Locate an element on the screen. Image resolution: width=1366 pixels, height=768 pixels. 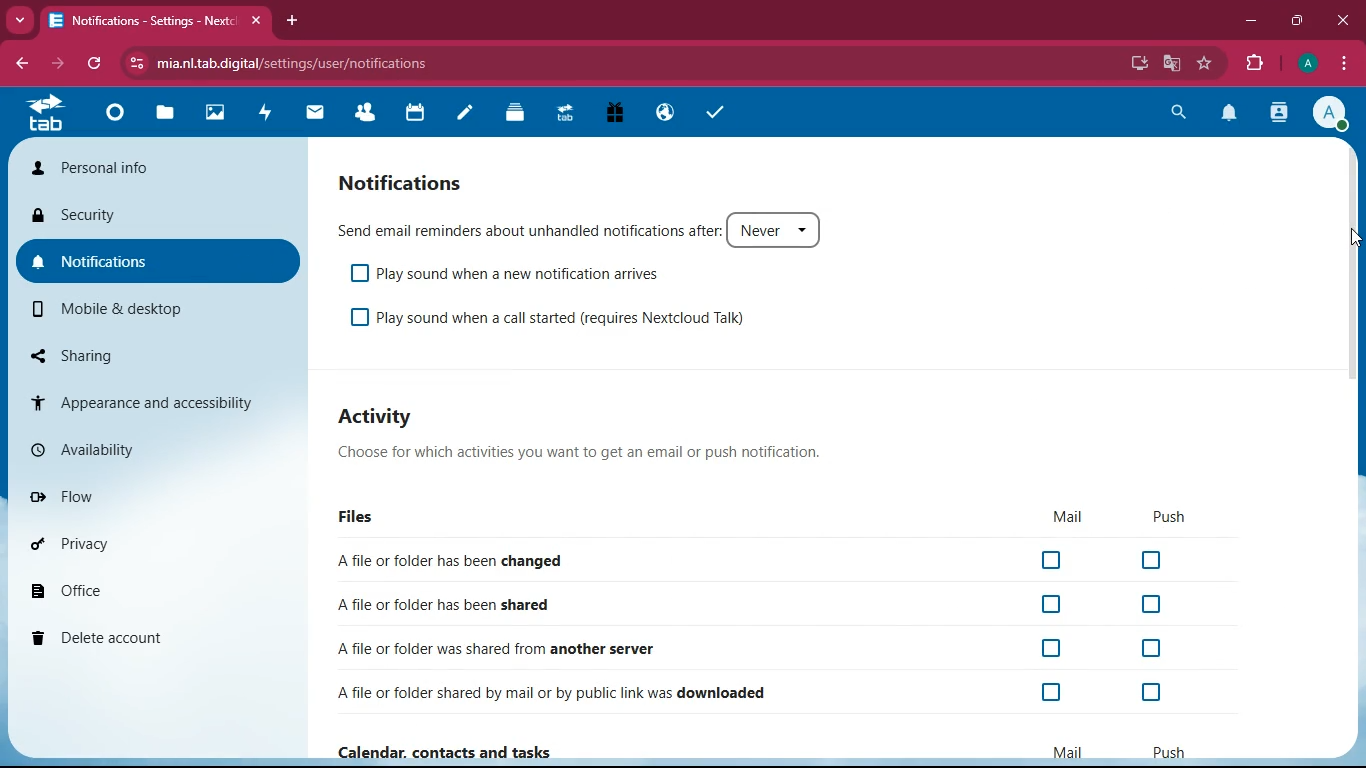
mail is located at coordinates (1070, 518).